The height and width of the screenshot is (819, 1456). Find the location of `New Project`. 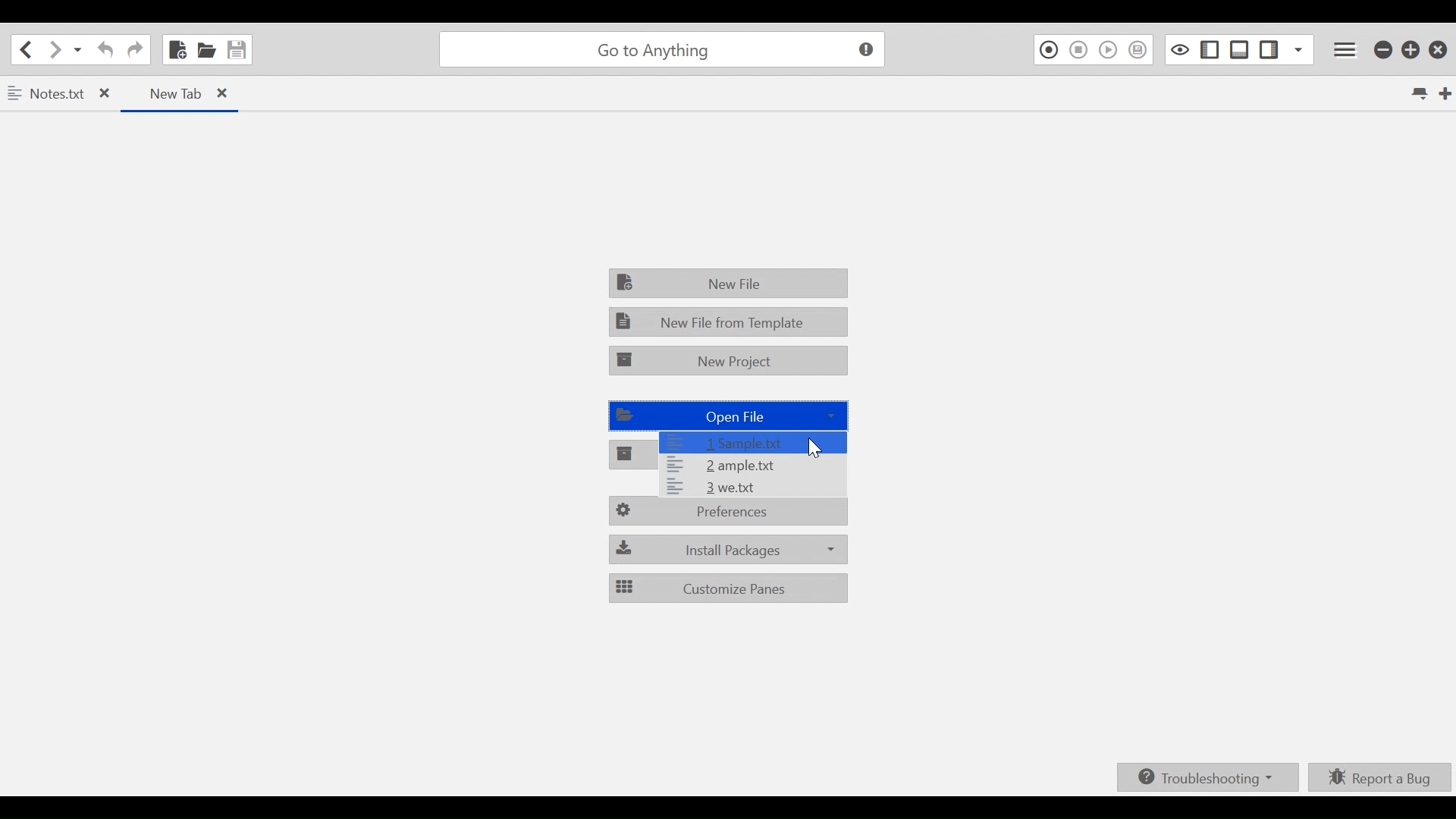

New Project is located at coordinates (730, 361).